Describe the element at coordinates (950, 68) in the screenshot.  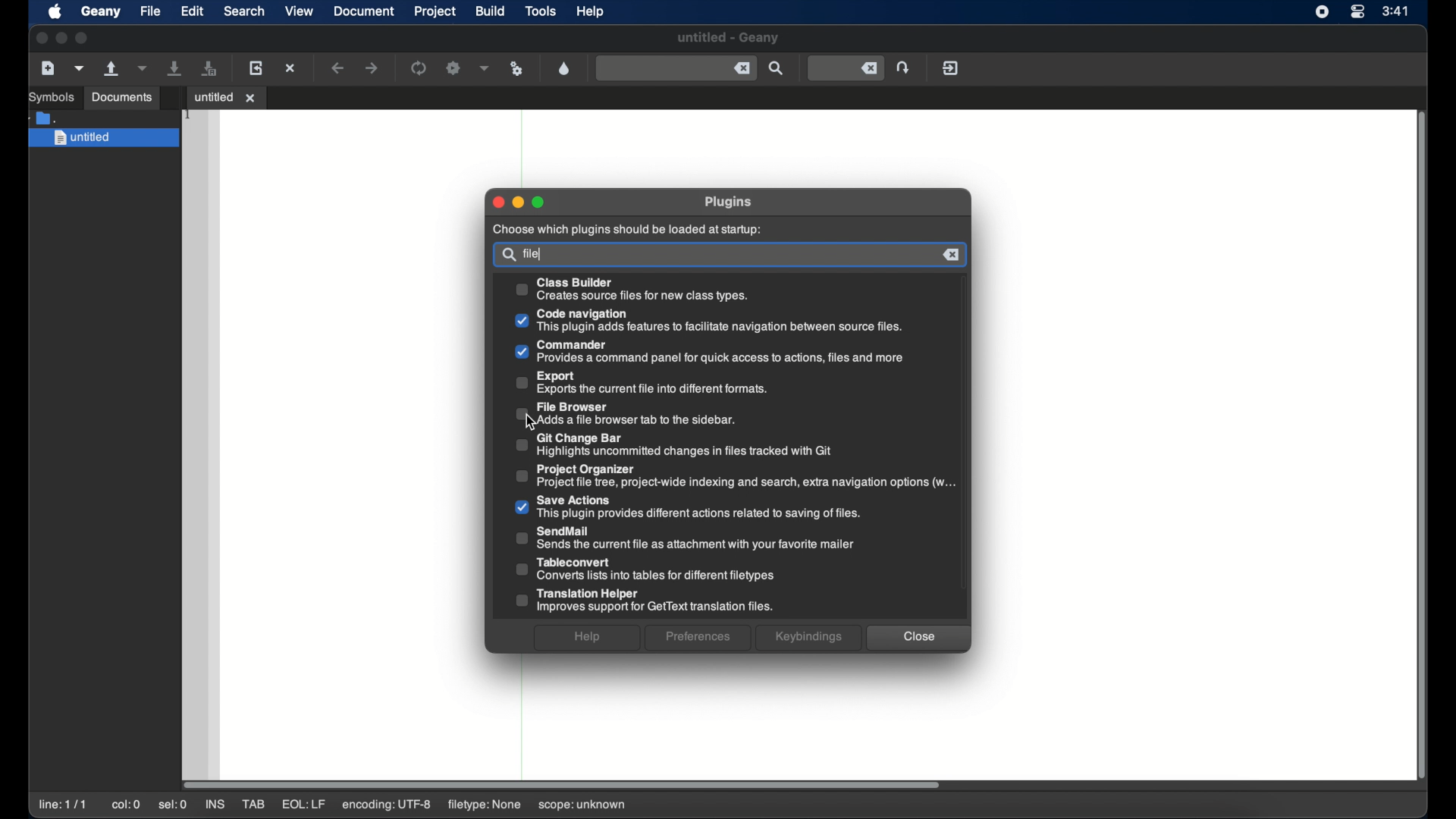
I see `quit geany` at that location.